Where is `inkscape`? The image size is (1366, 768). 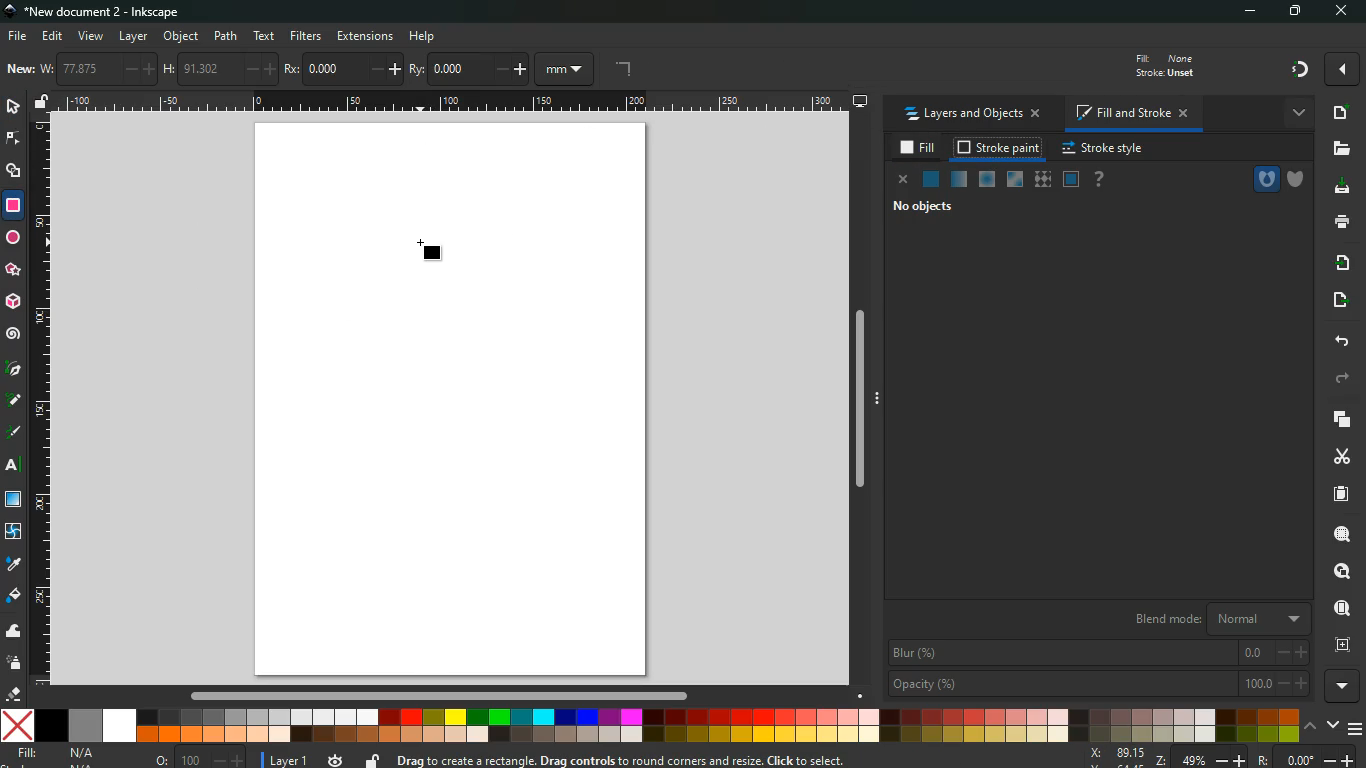
inkscape is located at coordinates (111, 11).